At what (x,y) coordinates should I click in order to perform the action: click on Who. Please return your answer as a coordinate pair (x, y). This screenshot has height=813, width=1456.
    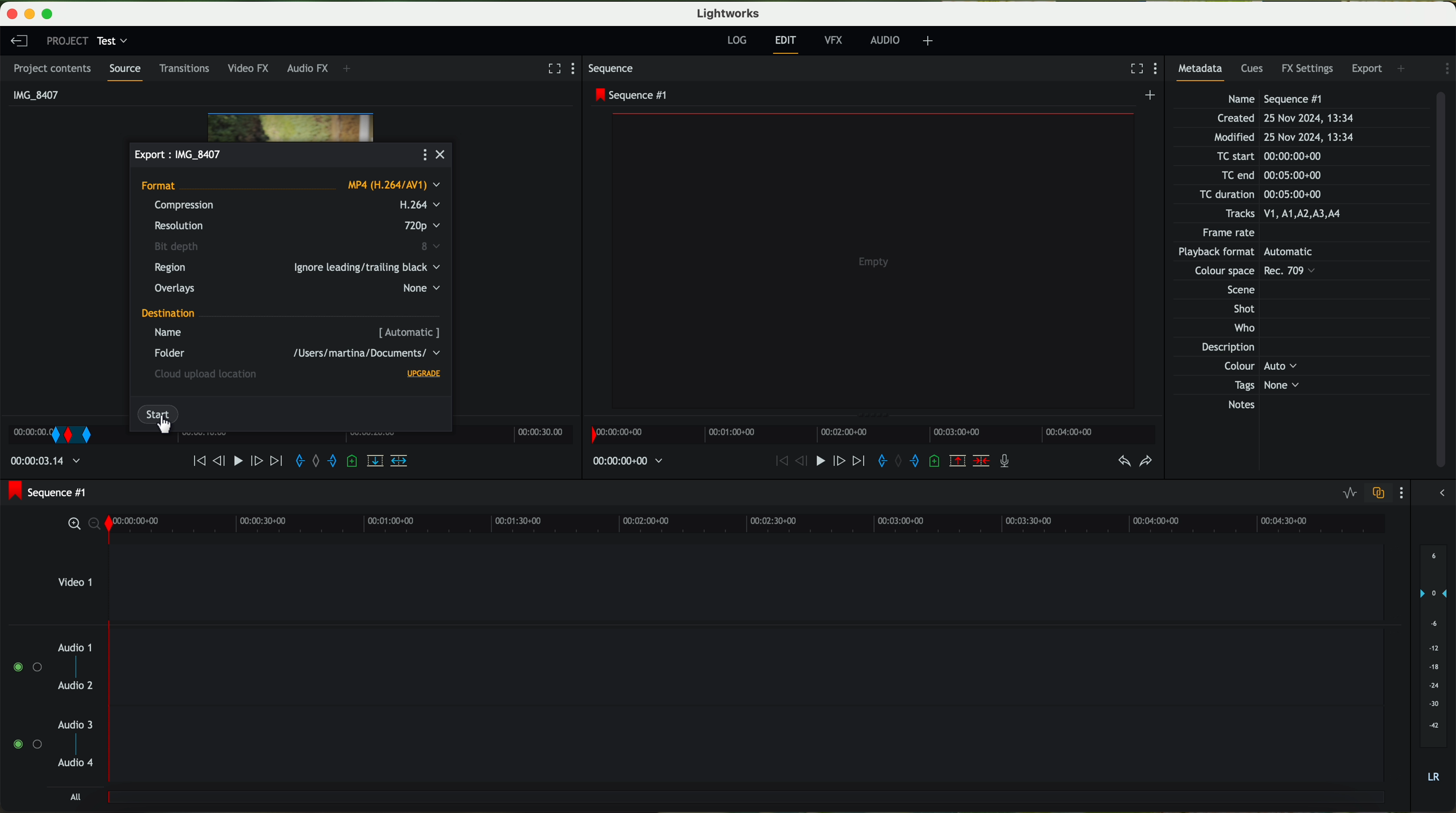
    Looking at the image, I should click on (1242, 329).